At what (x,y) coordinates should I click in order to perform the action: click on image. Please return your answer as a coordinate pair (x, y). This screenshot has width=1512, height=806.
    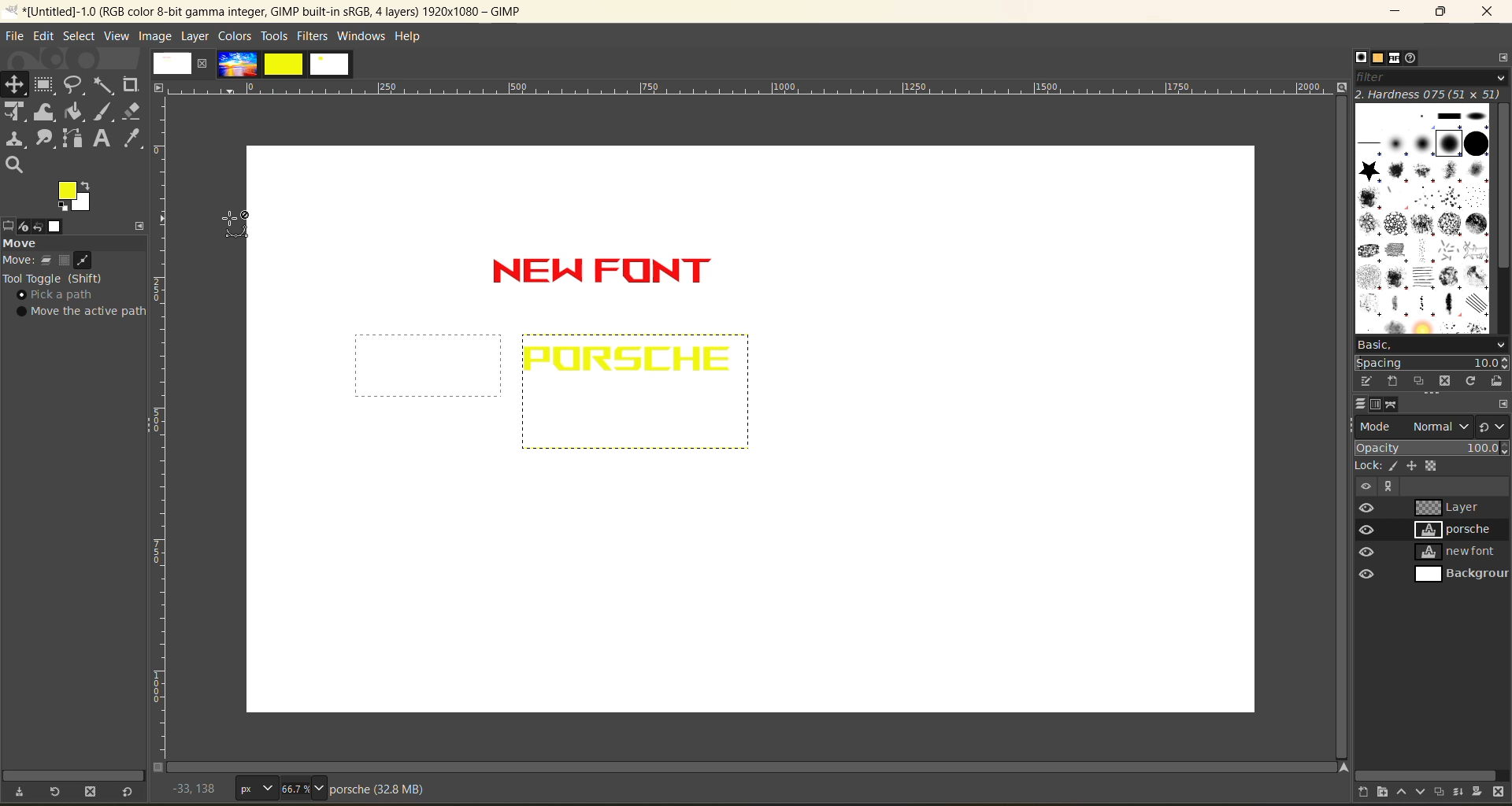
    Looking at the image, I should click on (55, 227).